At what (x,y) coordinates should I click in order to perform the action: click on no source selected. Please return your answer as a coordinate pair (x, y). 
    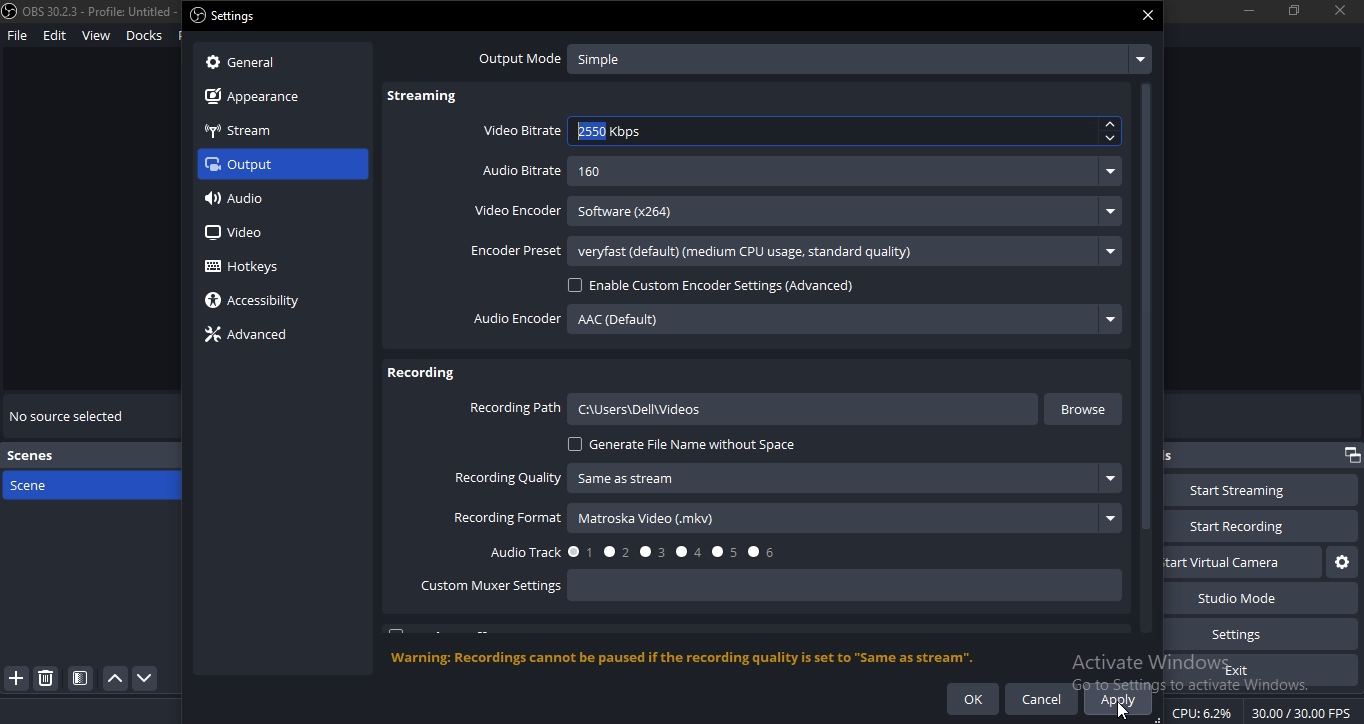
    Looking at the image, I should click on (71, 413).